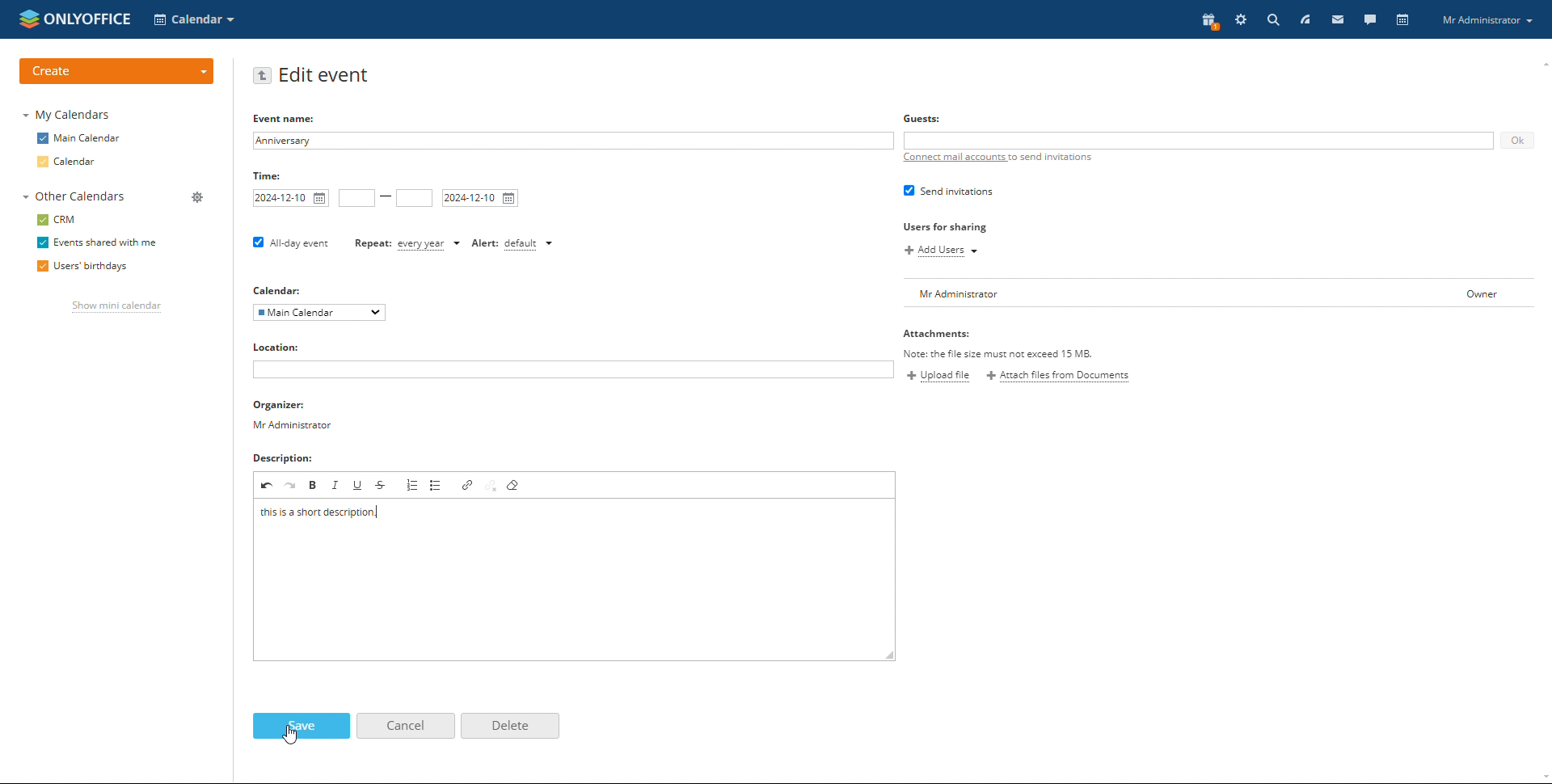 This screenshot has height=784, width=1552. Describe the element at coordinates (65, 114) in the screenshot. I see `my calendars` at that location.